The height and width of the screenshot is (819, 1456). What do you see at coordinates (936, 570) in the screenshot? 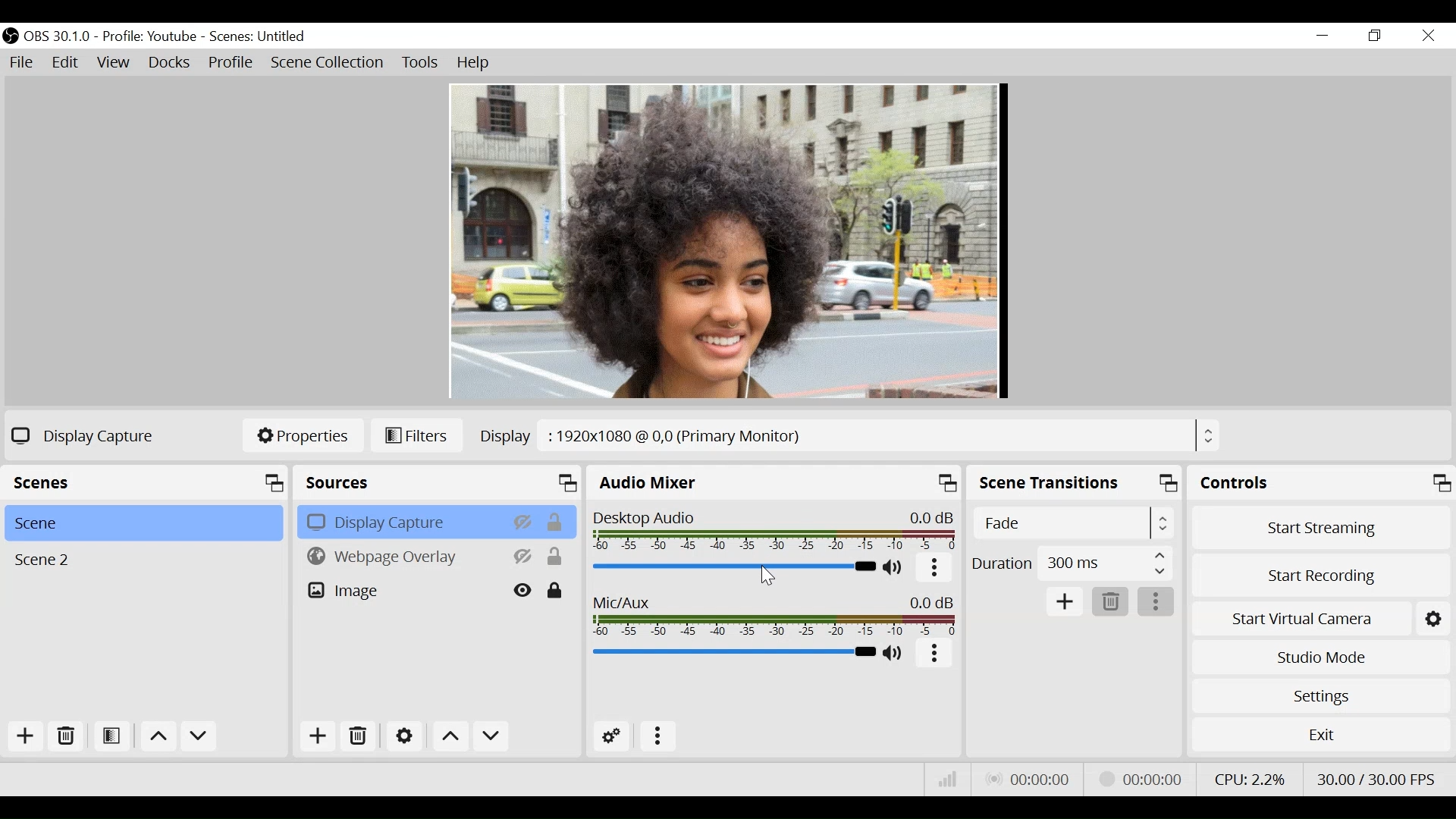
I see `more option` at bounding box center [936, 570].